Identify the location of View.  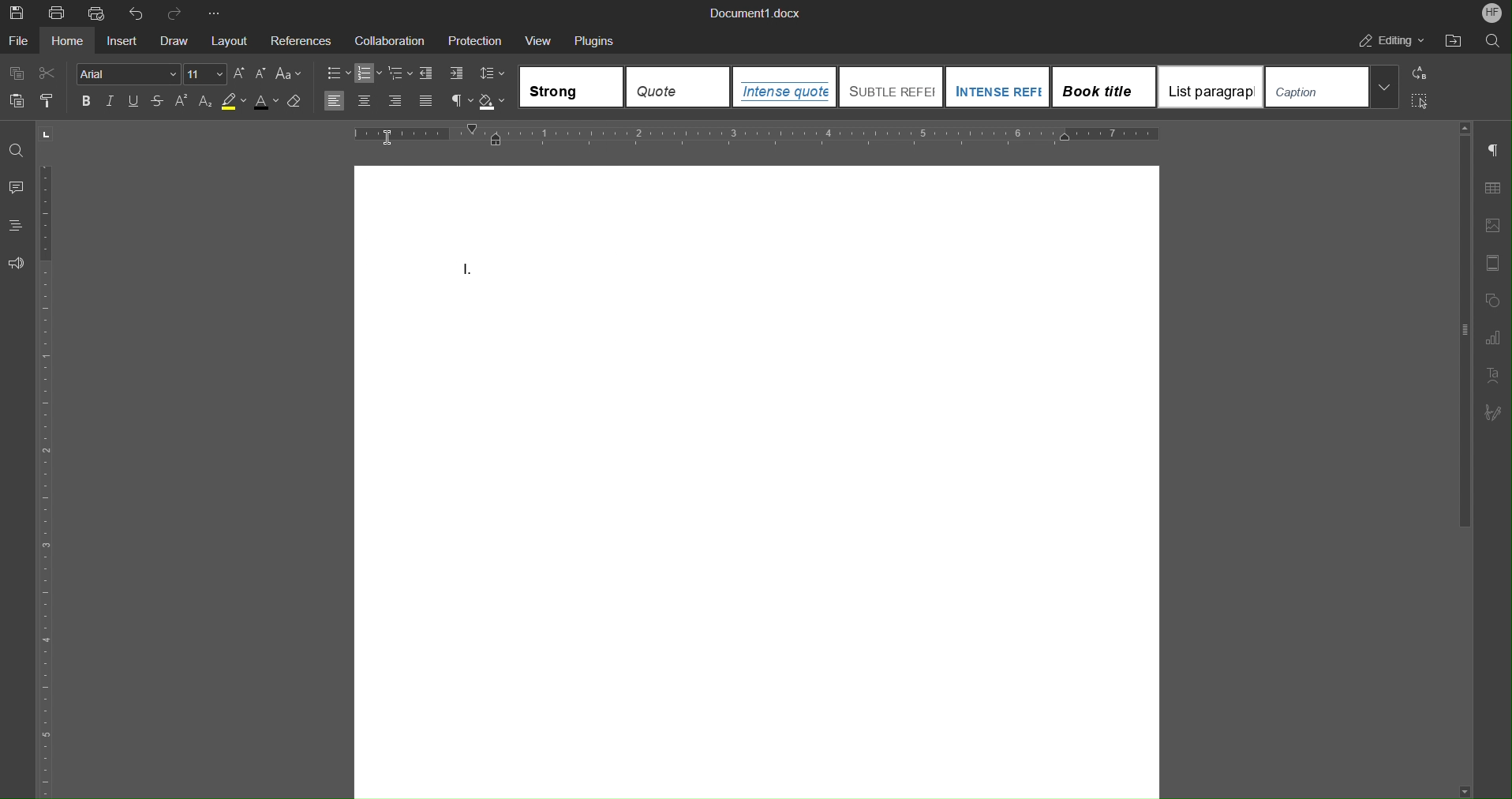
(537, 40).